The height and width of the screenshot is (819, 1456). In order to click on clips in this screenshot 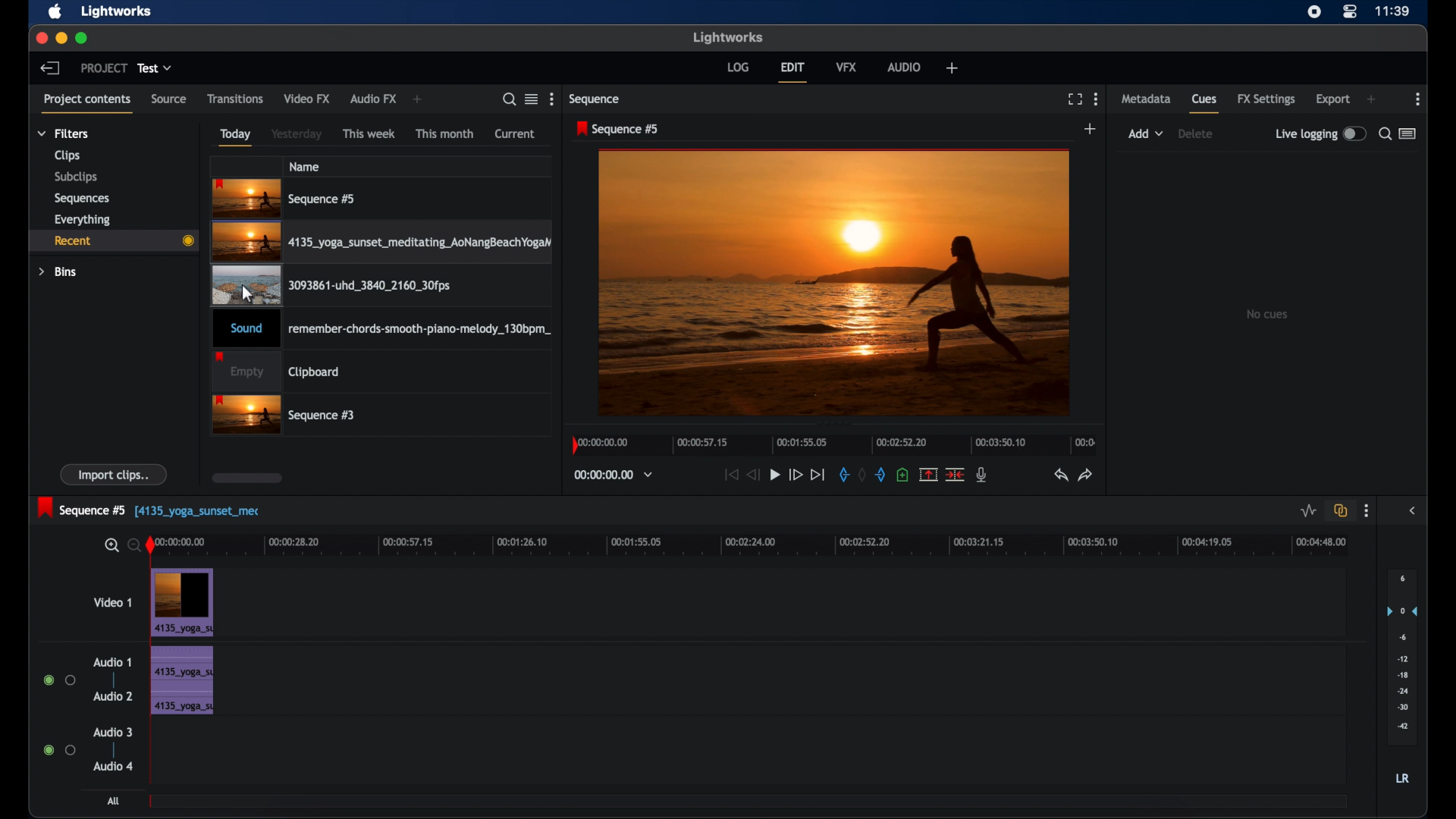, I will do `click(67, 155)`.